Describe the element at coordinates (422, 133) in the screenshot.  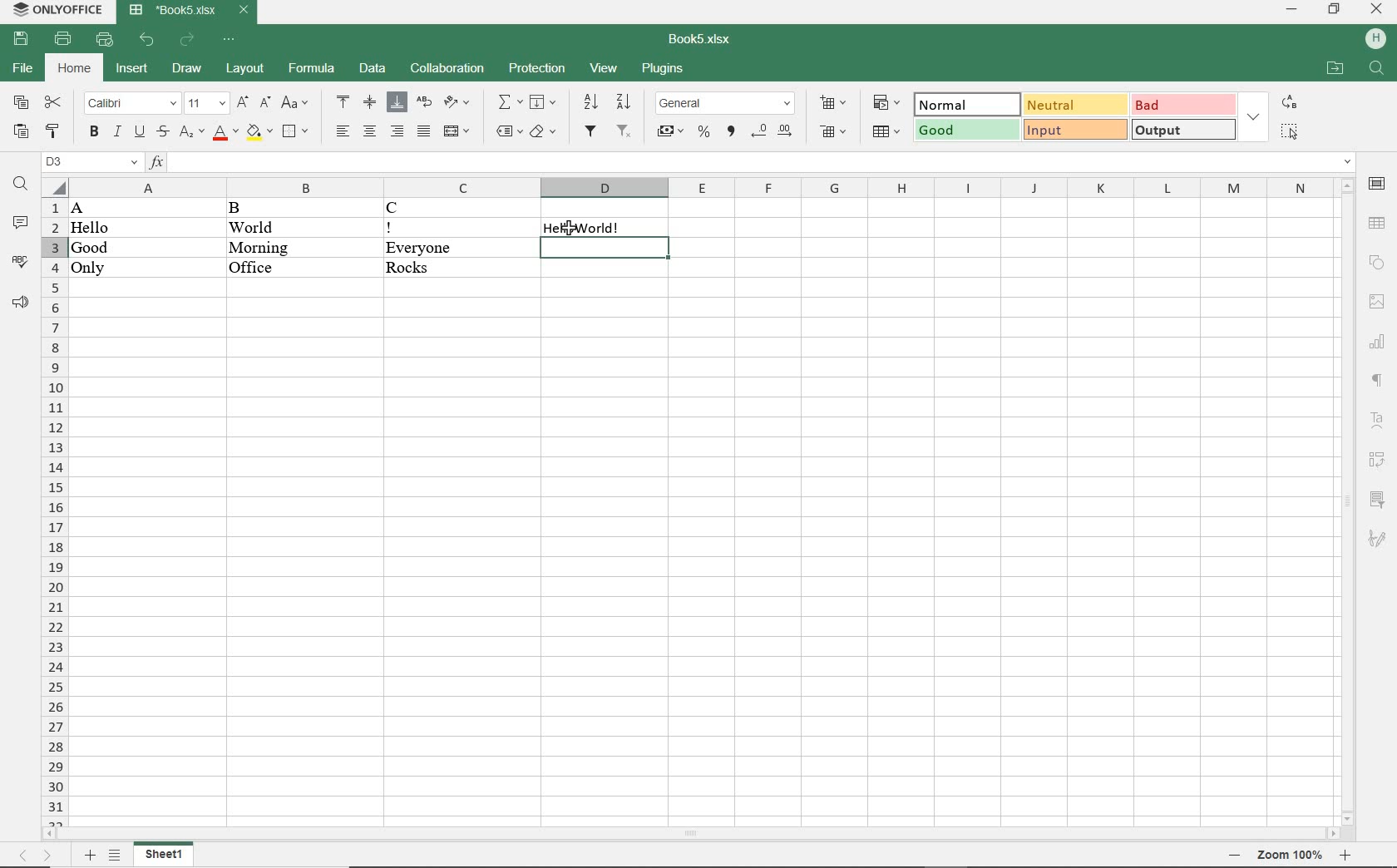
I see `JUSTIFIED` at that location.